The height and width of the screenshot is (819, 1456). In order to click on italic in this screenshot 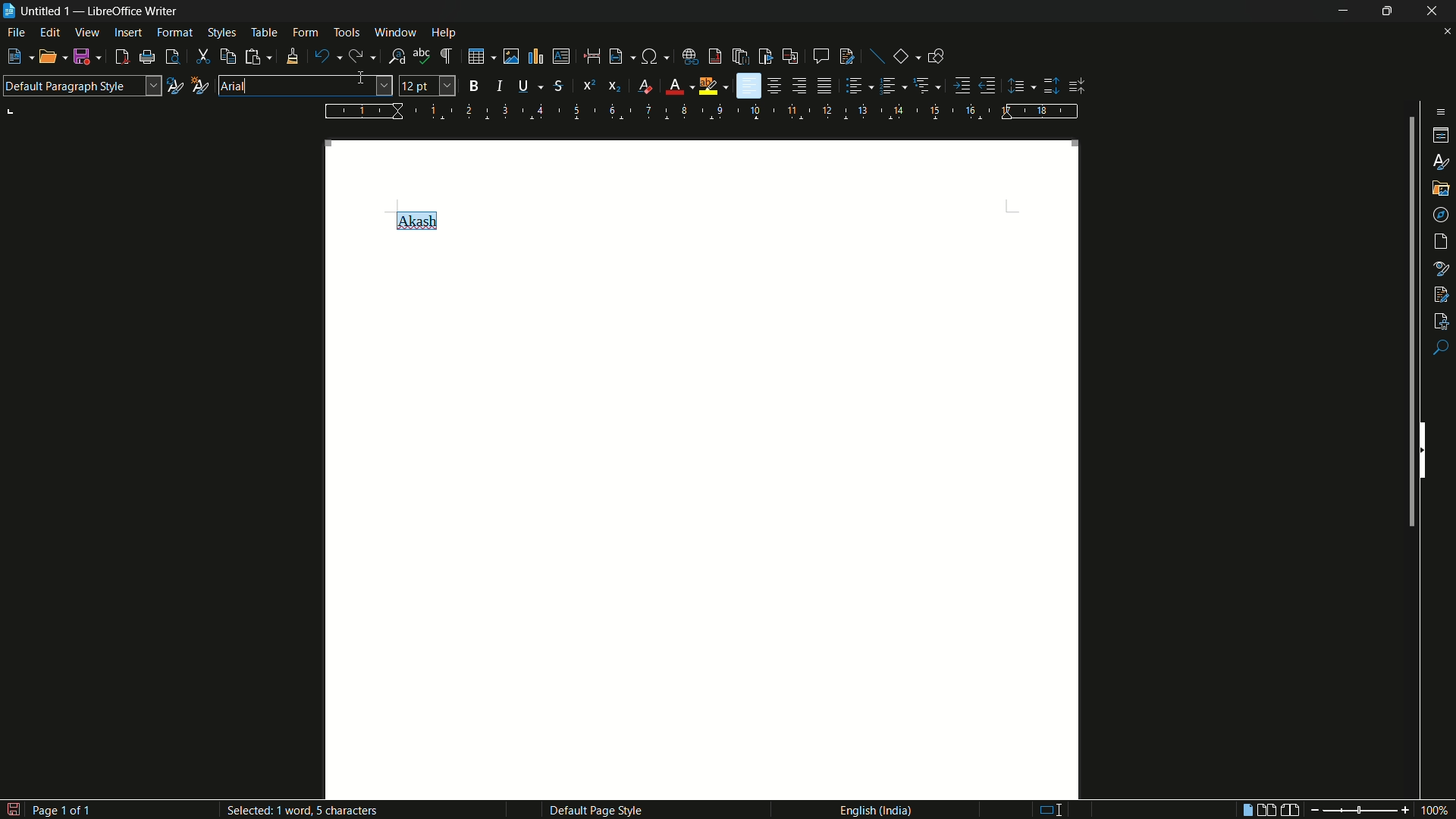, I will do `click(504, 86)`.